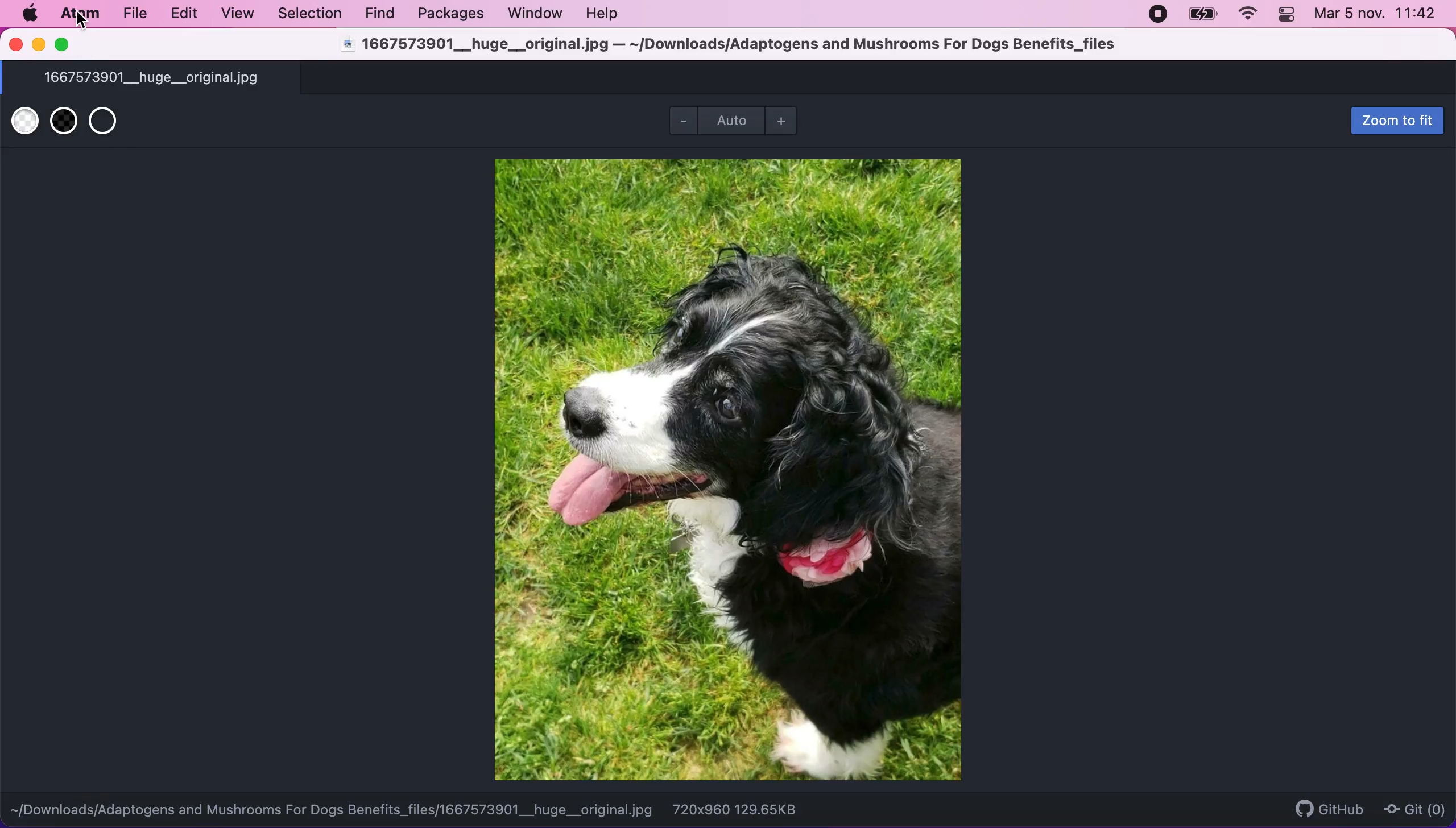 This screenshot has height=828, width=1456. Describe the element at coordinates (377, 13) in the screenshot. I see `find` at that location.